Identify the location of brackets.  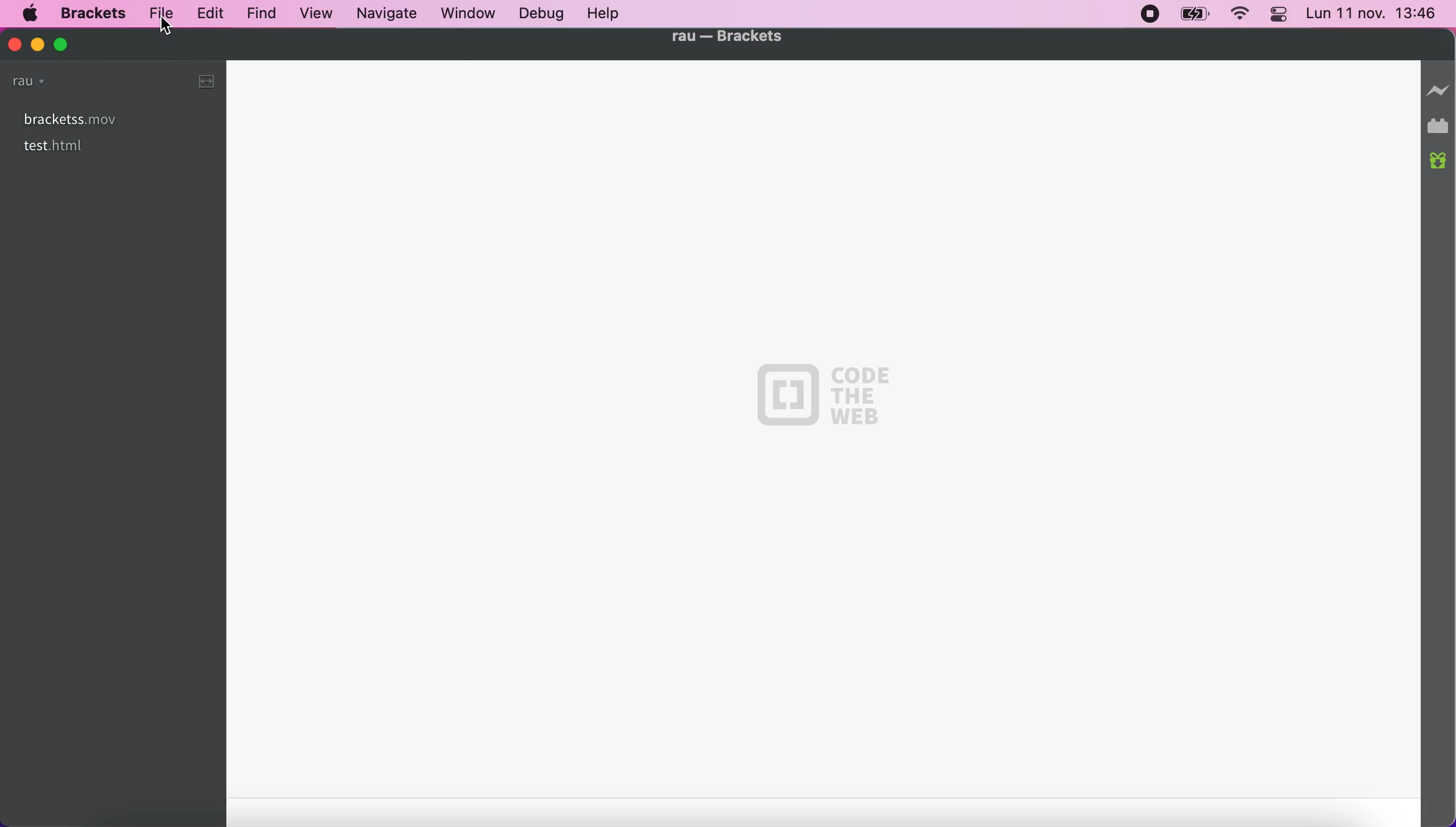
(93, 13).